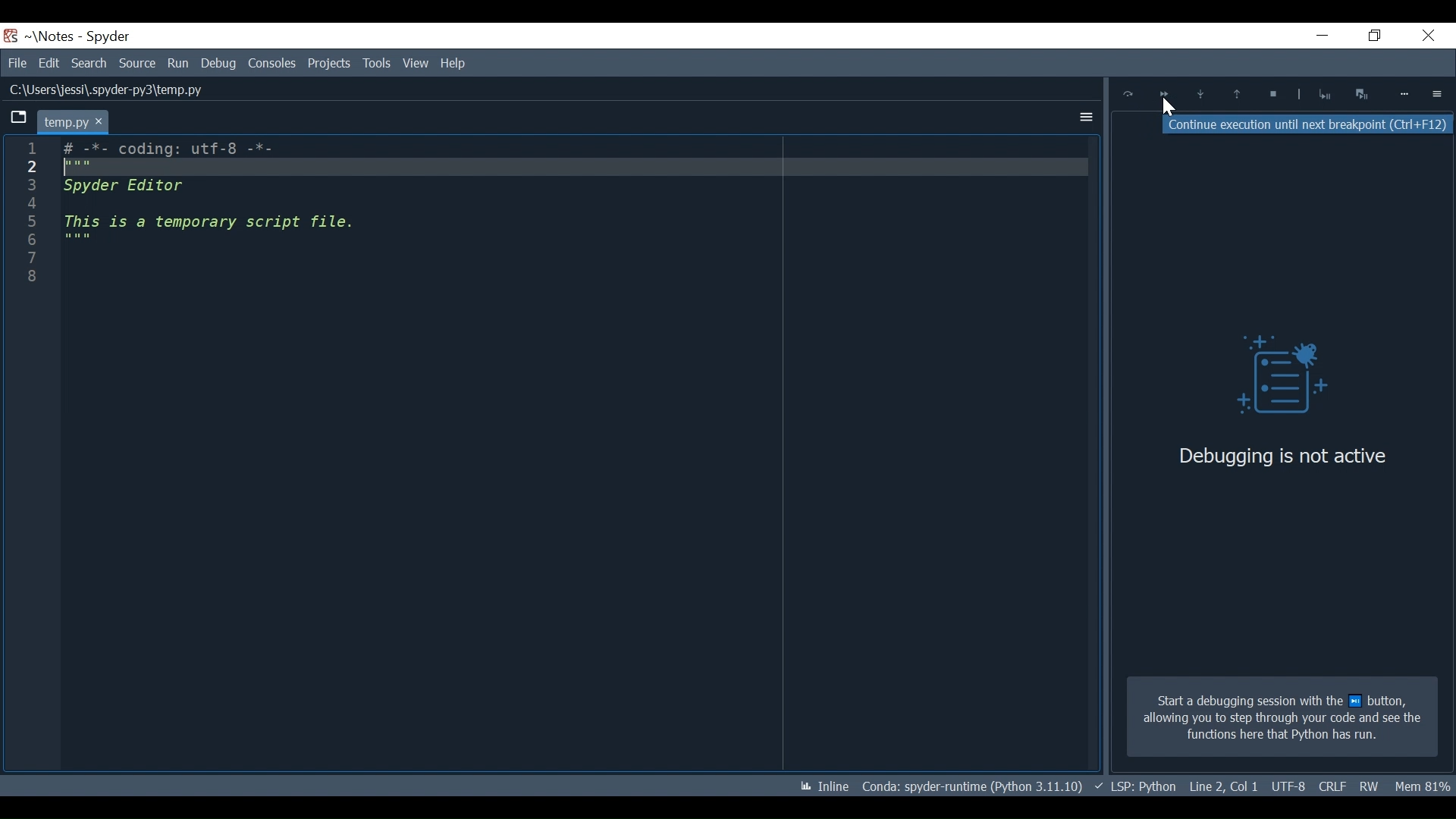 This screenshot has width=1456, height=819. Describe the element at coordinates (1082, 115) in the screenshot. I see `More Options` at that location.